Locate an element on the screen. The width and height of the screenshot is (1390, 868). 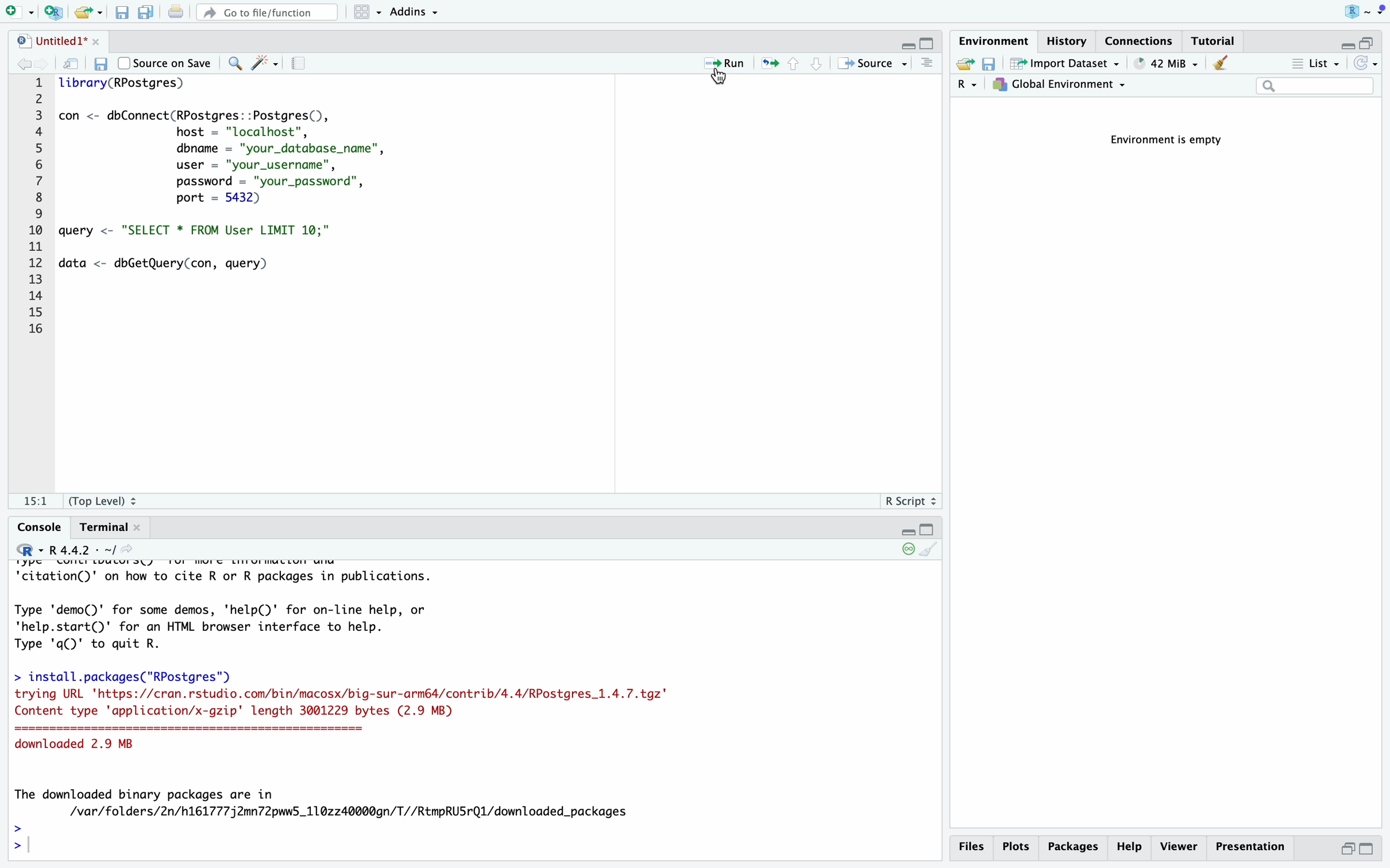
console is located at coordinates (34, 526).